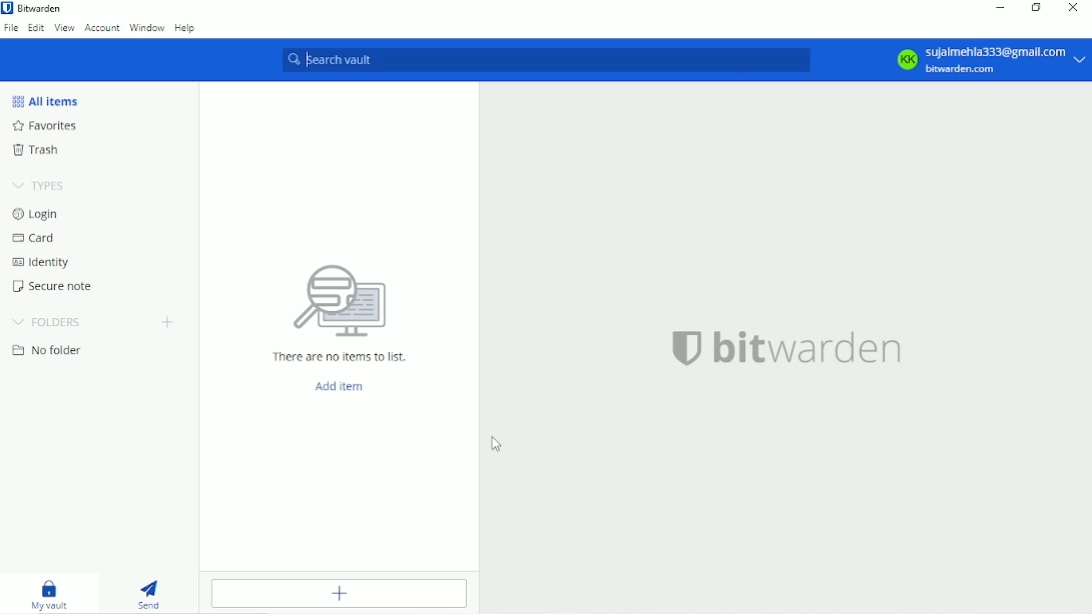  What do you see at coordinates (42, 262) in the screenshot?
I see `Identity` at bounding box center [42, 262].